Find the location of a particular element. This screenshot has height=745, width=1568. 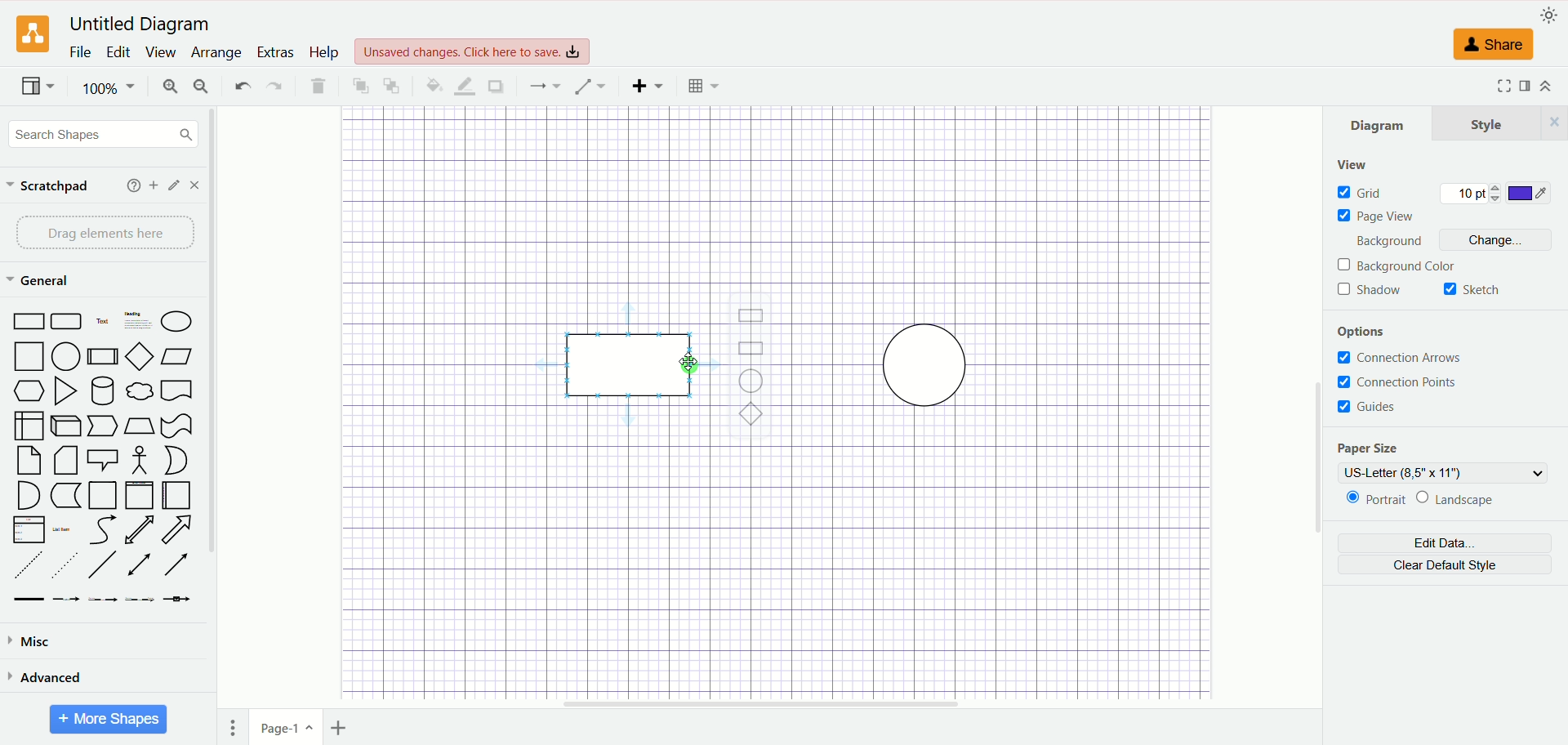

Box is located at coordinates (29, 425).